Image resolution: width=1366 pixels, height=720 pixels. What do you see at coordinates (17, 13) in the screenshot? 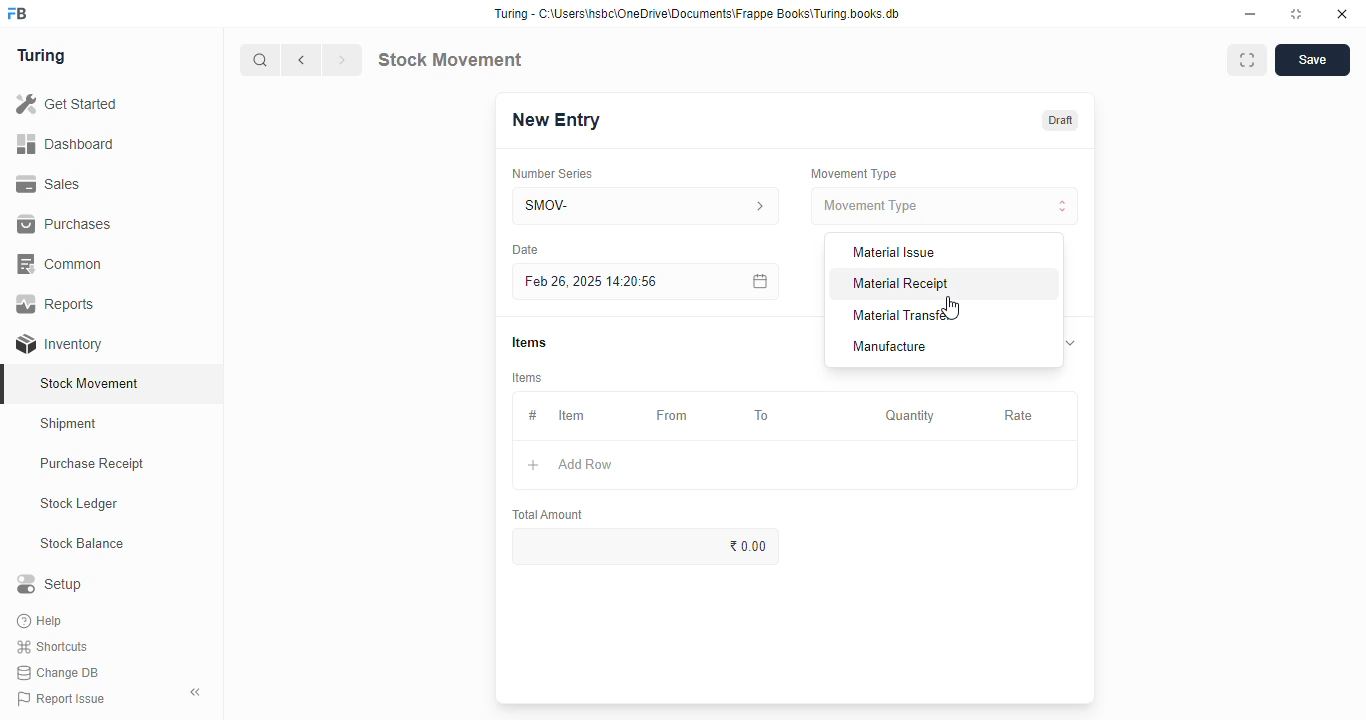
I see `FB-logo` at bounding box center [17, 13].